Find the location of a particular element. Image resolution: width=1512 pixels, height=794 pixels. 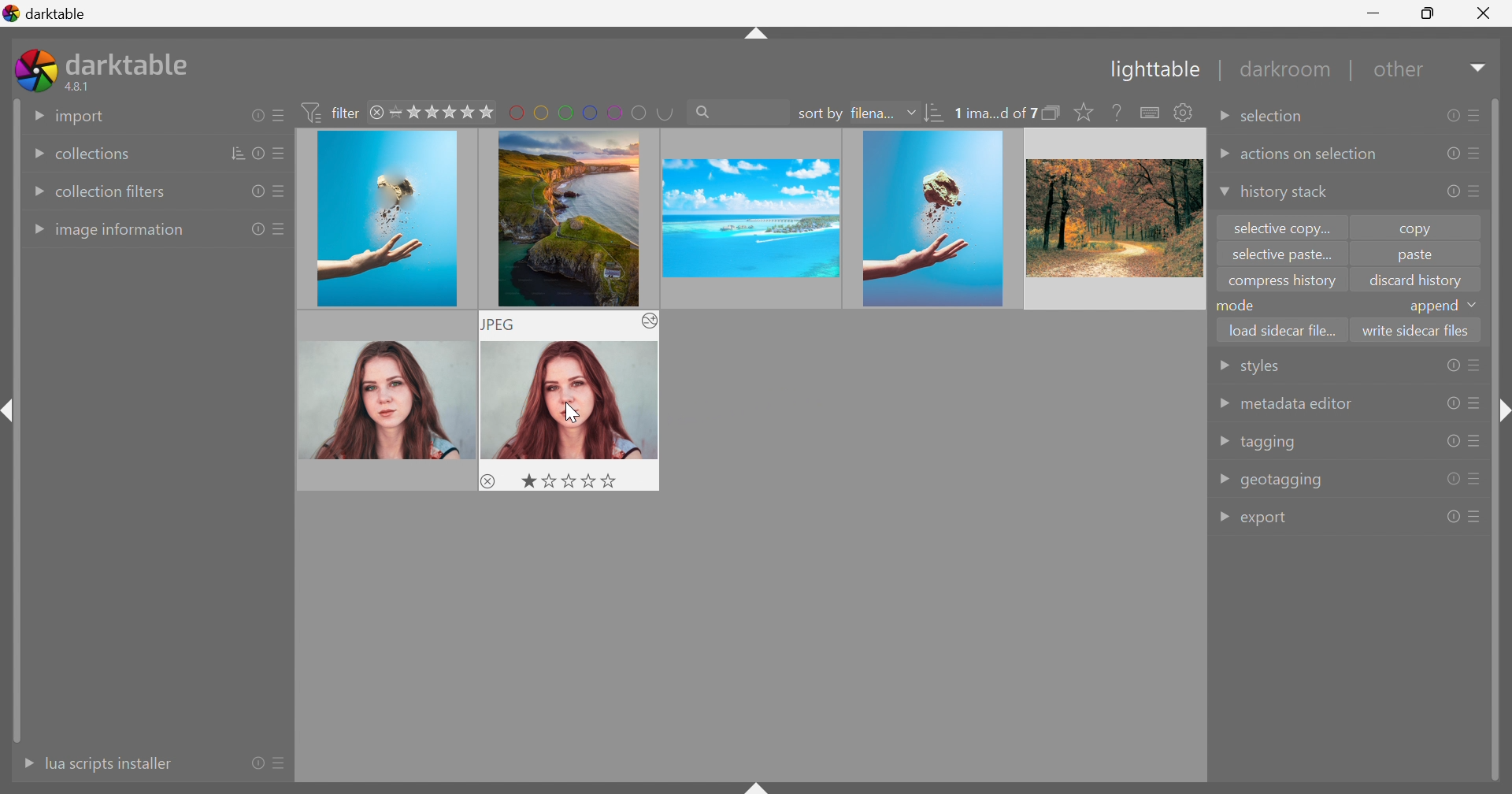

compress history is located at coordinates (1282, 283).